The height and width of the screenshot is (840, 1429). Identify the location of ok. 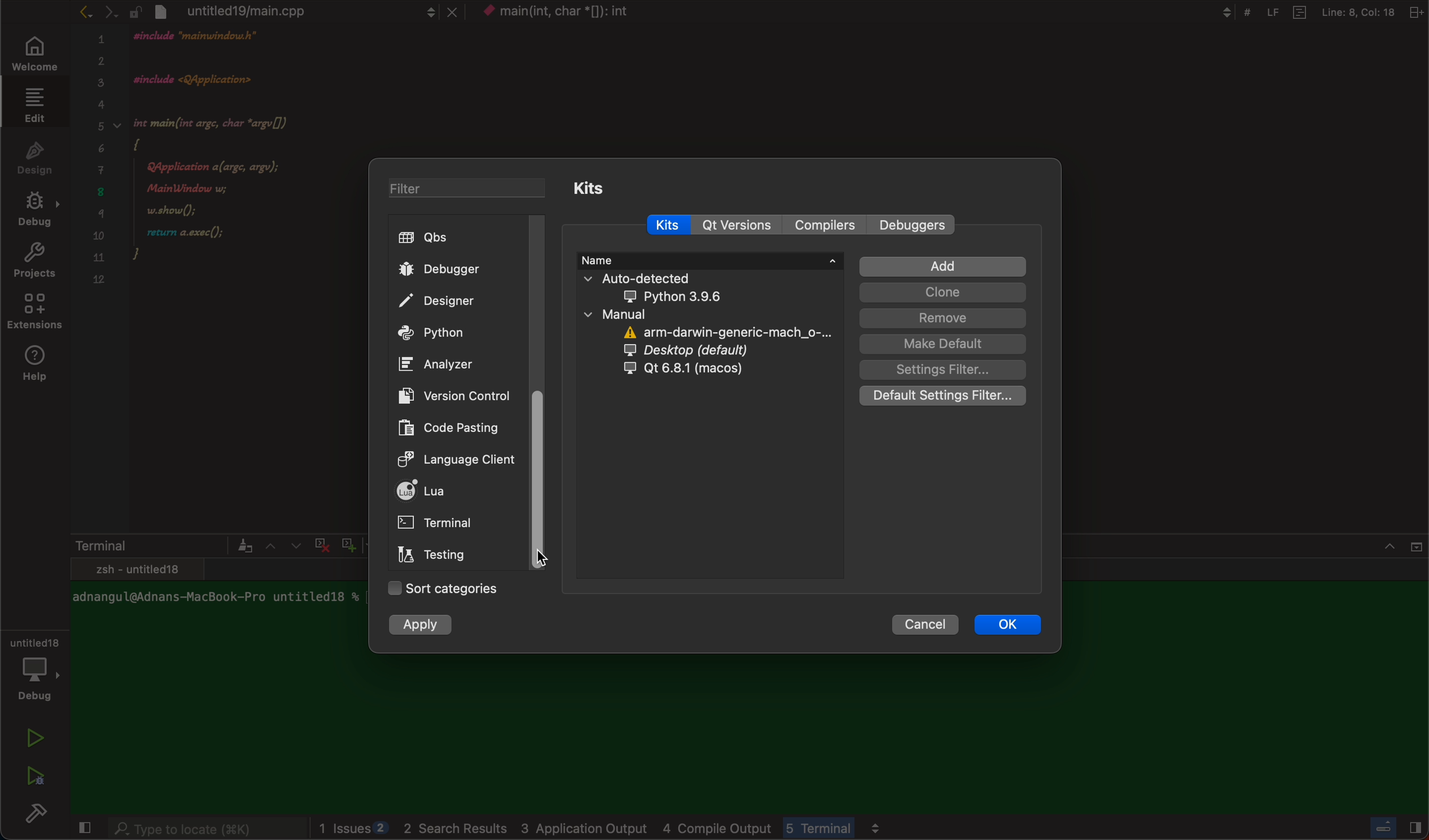
(1007, 625).